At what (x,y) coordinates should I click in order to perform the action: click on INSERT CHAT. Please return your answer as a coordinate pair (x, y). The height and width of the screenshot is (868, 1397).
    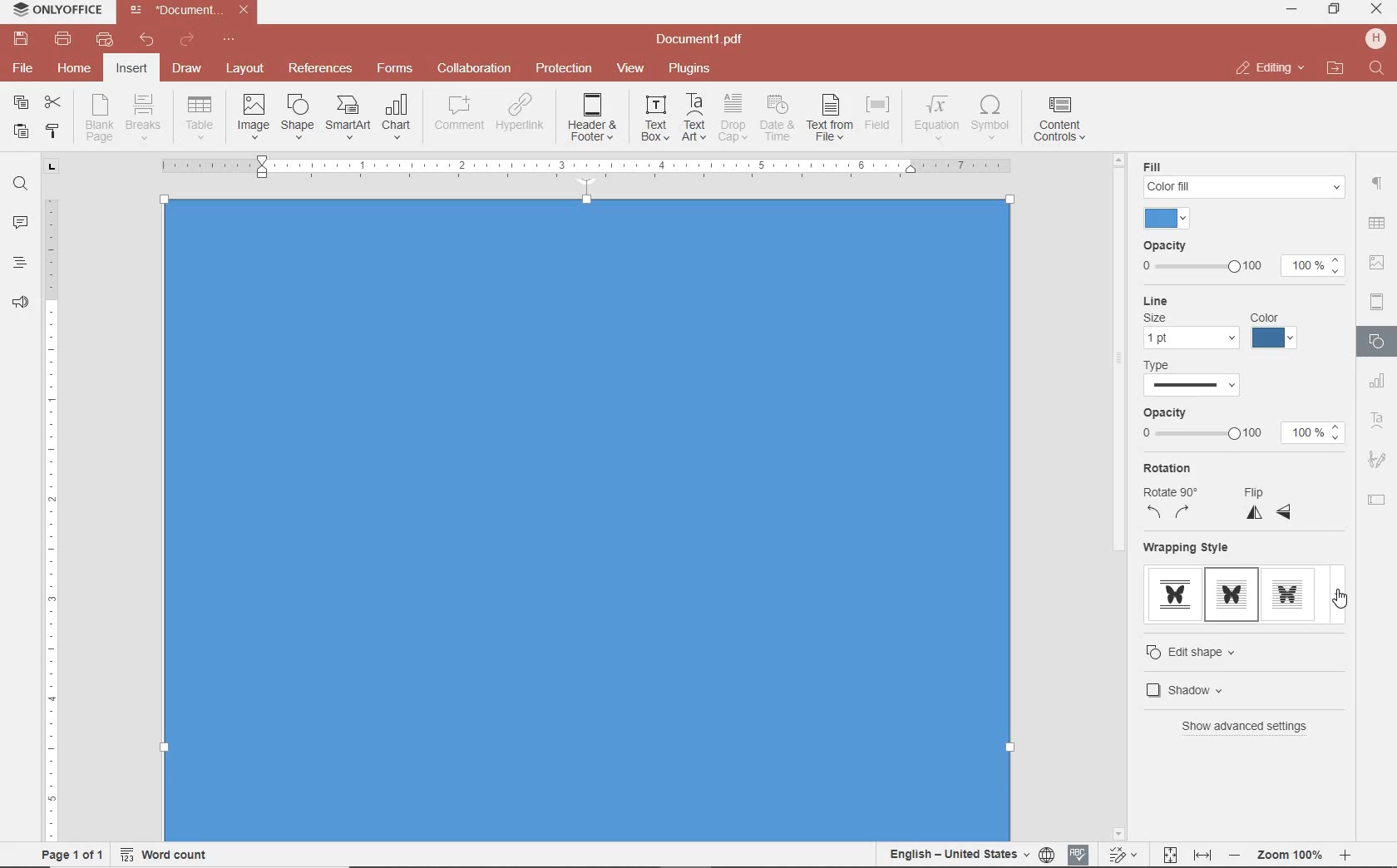
    Looking at the image, I should click on (397, 118).